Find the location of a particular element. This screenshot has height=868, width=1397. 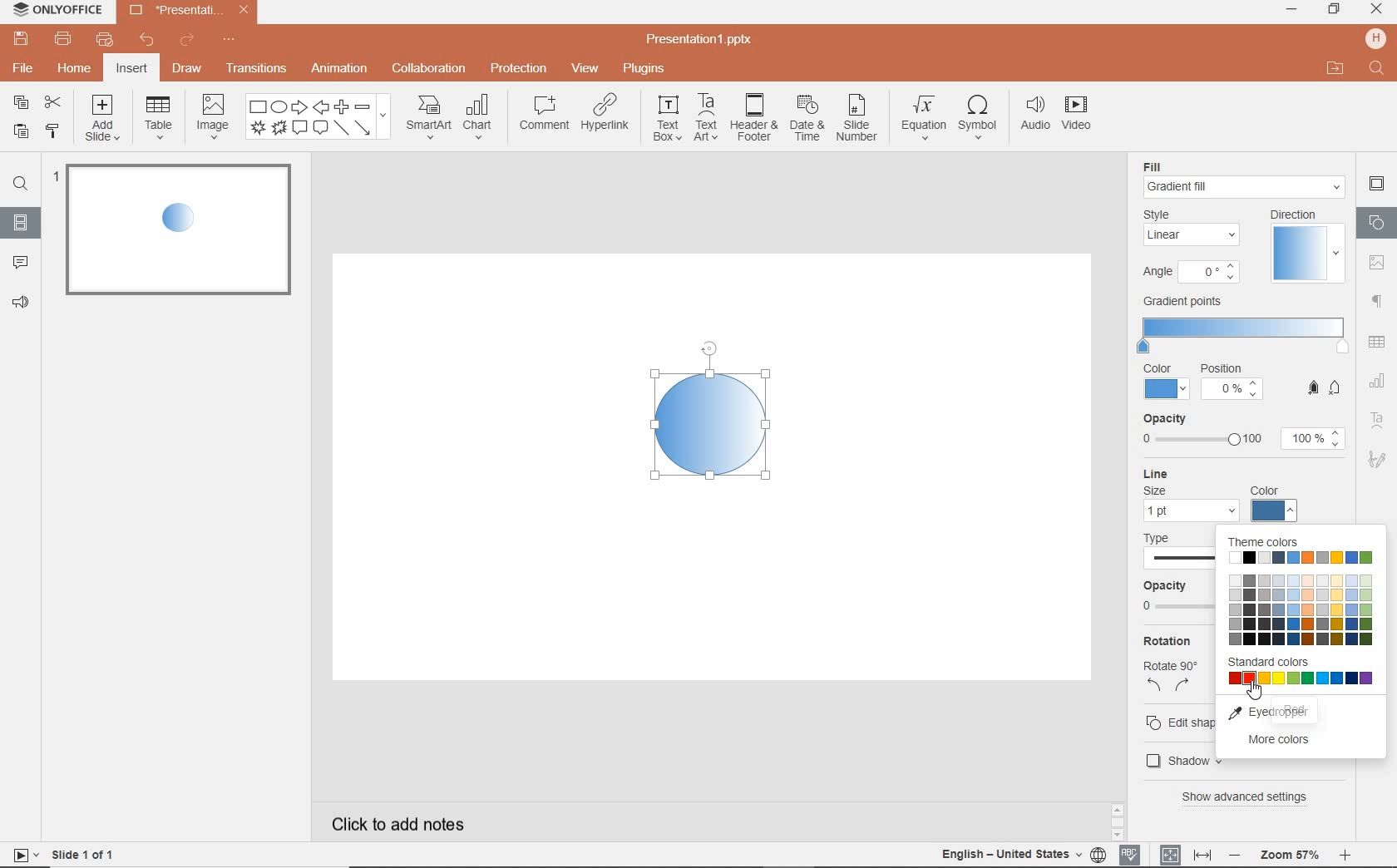

add/remove gradient point is located at coordinates (1325, 387).